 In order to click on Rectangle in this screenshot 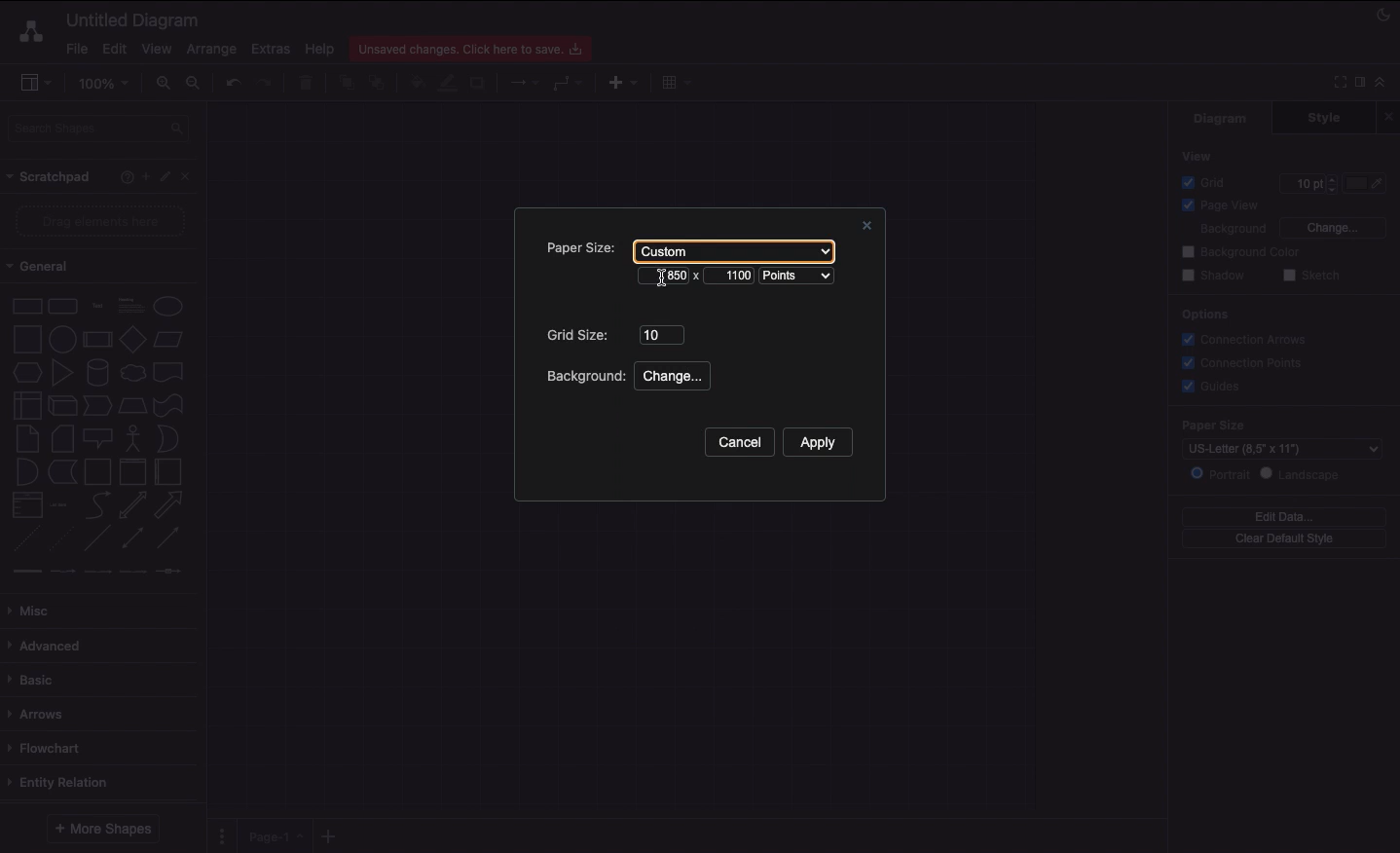, I will do `click(25, 305)`.